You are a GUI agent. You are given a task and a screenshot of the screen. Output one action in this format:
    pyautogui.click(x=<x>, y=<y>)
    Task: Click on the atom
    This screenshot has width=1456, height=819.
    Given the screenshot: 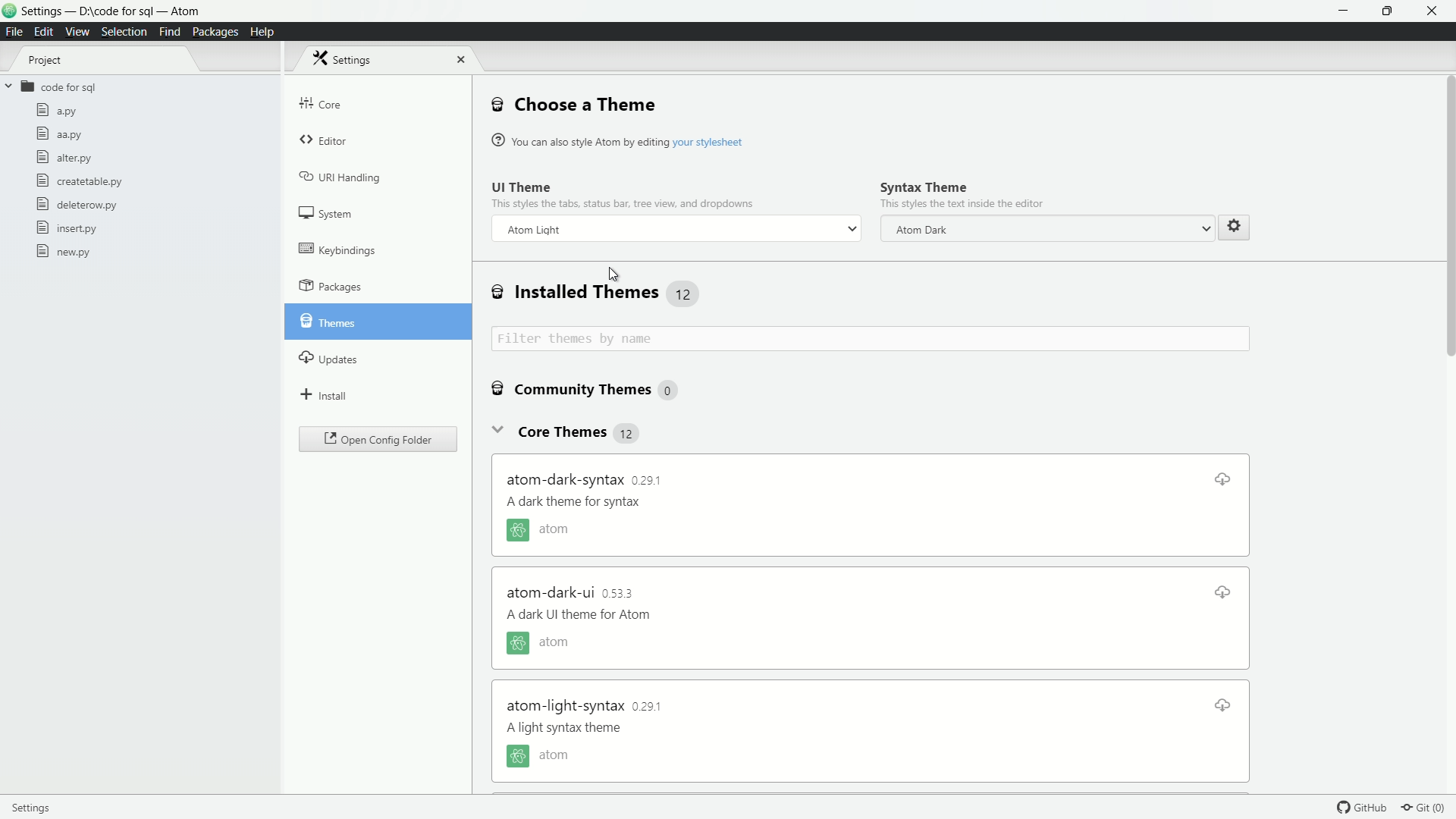 What is the action you would take?
    pyautogui.click(x=538, y=646)
    